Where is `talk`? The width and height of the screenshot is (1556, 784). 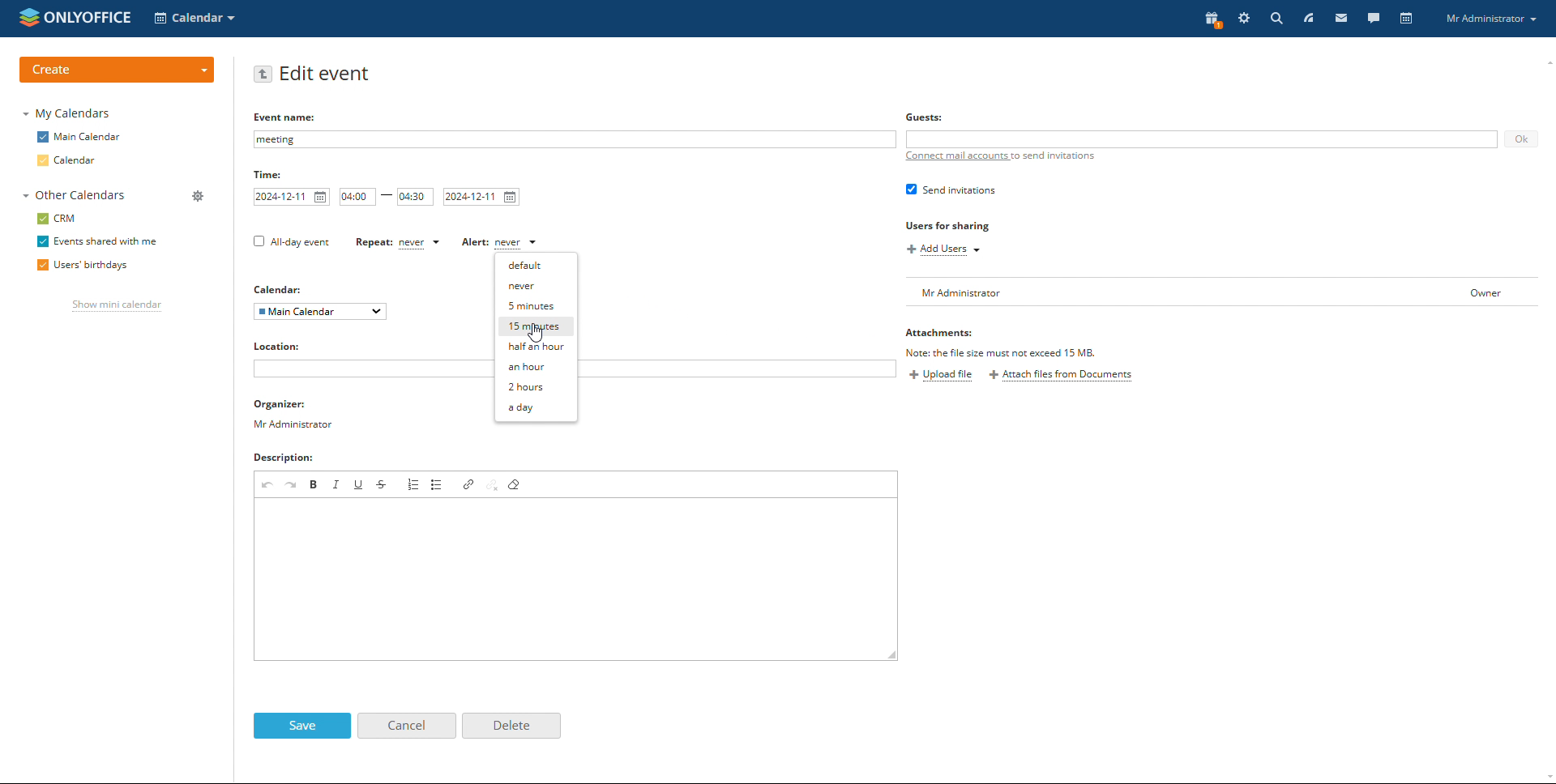 talk is located at coordinates (1372, 19).